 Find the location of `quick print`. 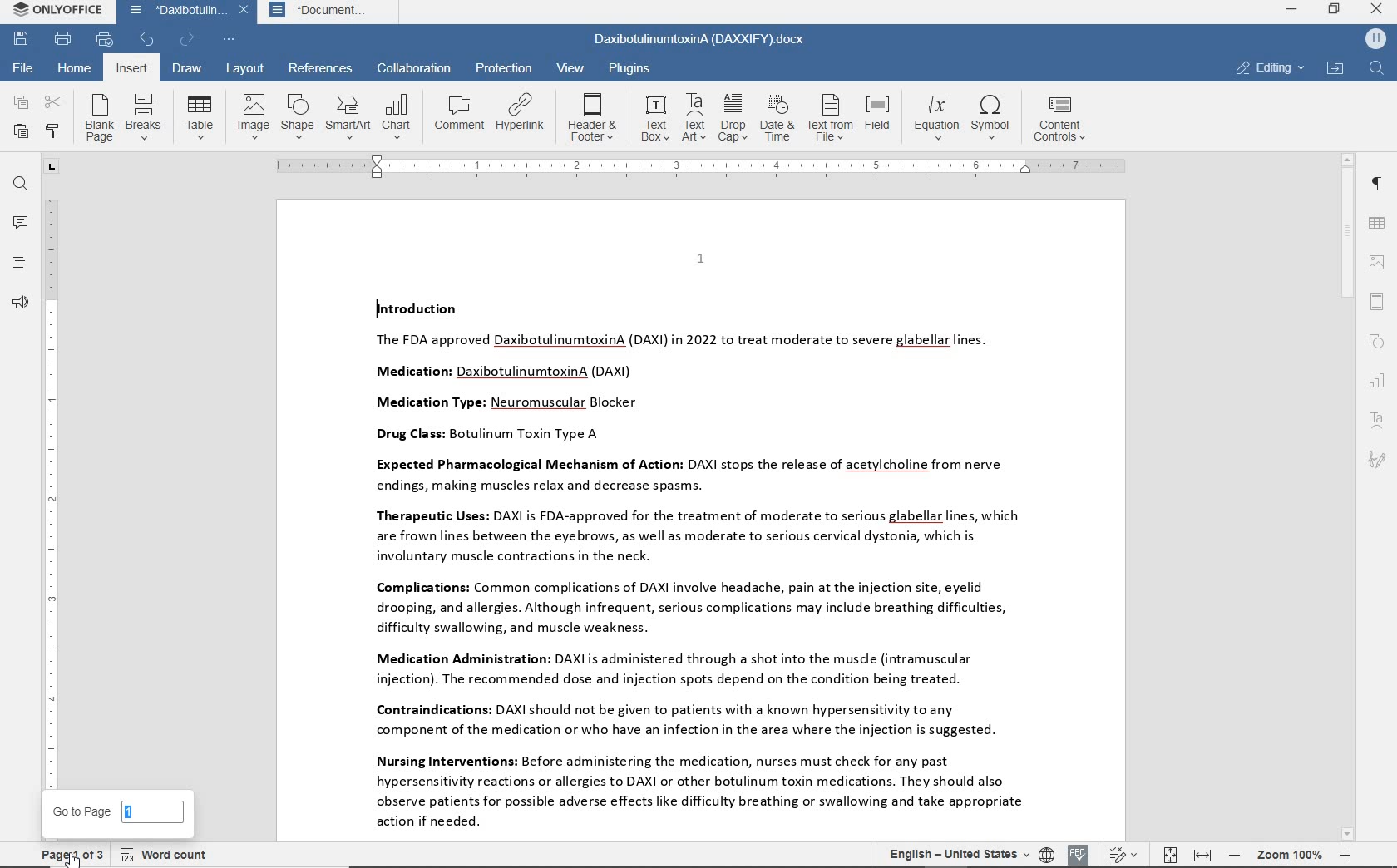

quick print is located at coordinates (105, 40).